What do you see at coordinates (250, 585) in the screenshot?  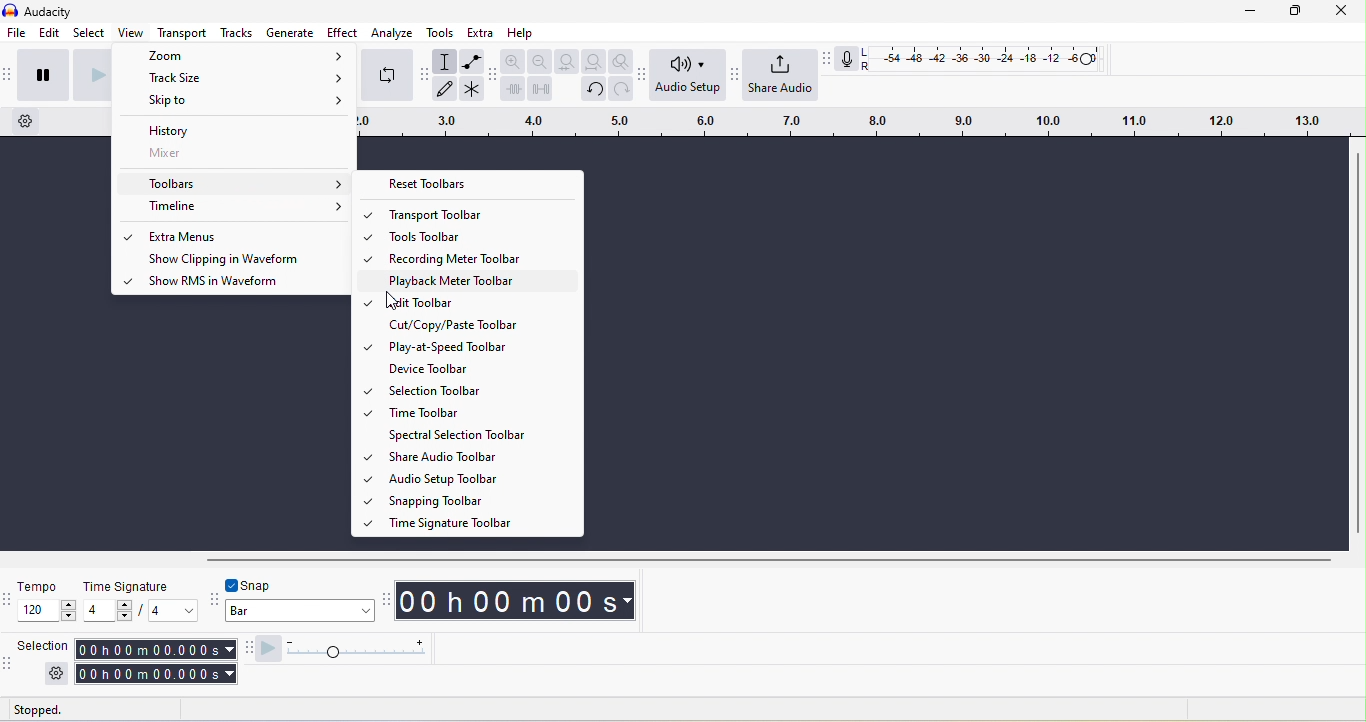 I see `toggle snap` at bounding box center [250, 585].